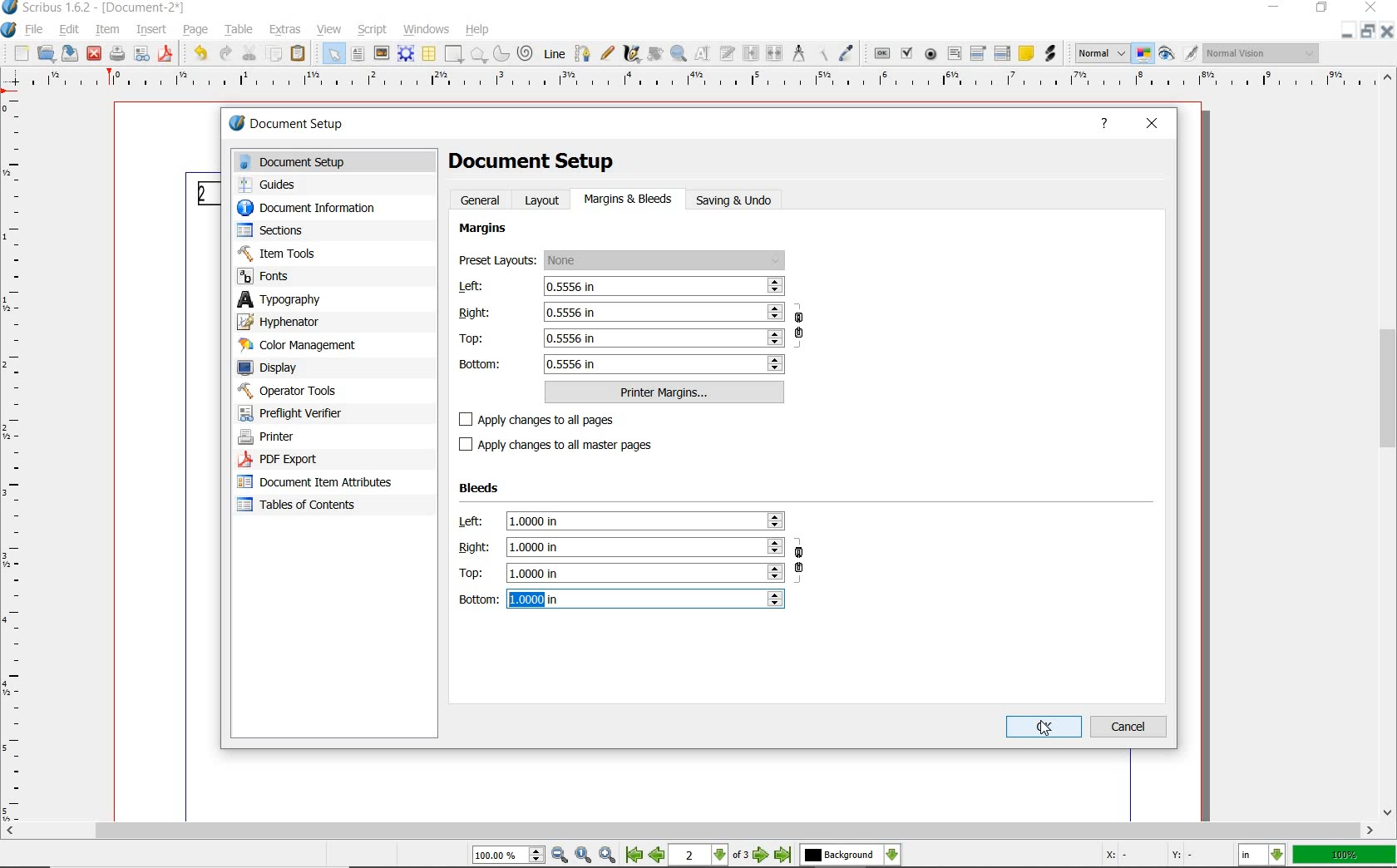 The image size is (1397, 868). What do you see at coordinates (621, 599) in the screenshot?
I see `bottom: 1.0000 in` at bounding box center [621, 599].